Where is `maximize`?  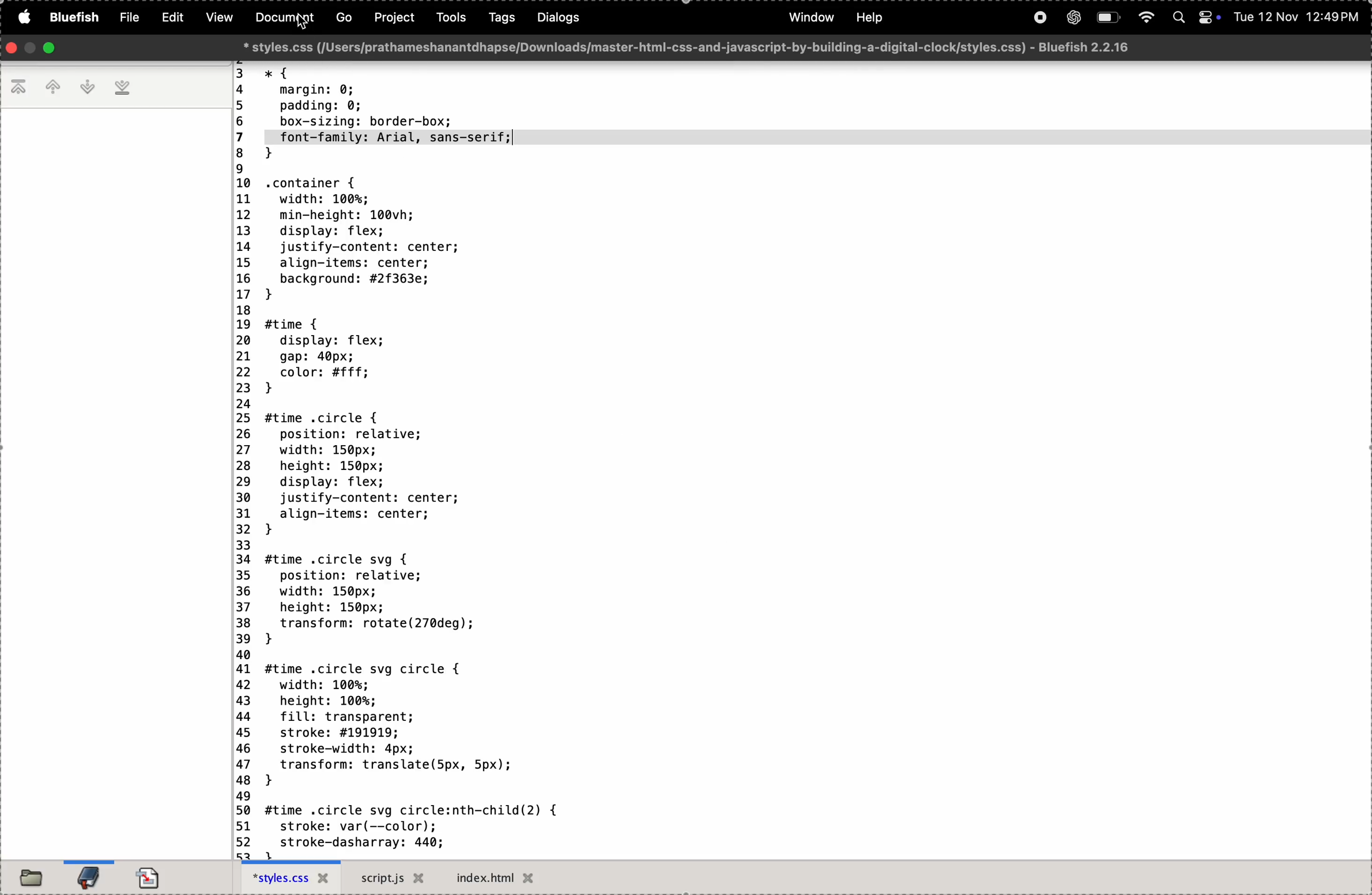 maximize is located at coordinates (51, 48).